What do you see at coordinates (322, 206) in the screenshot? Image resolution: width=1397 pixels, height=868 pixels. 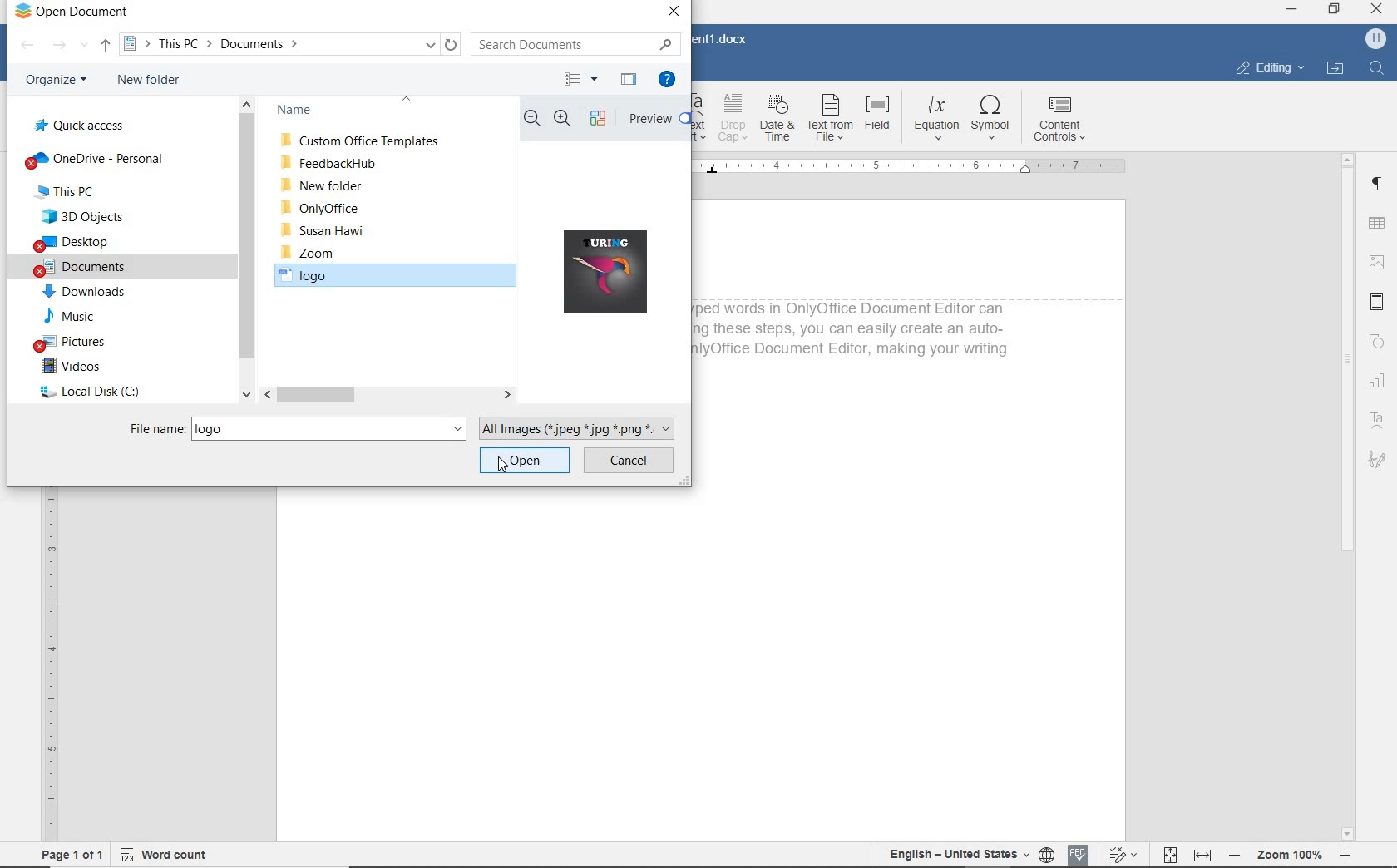 I see `Only Office` at bounding box center [322, 206].